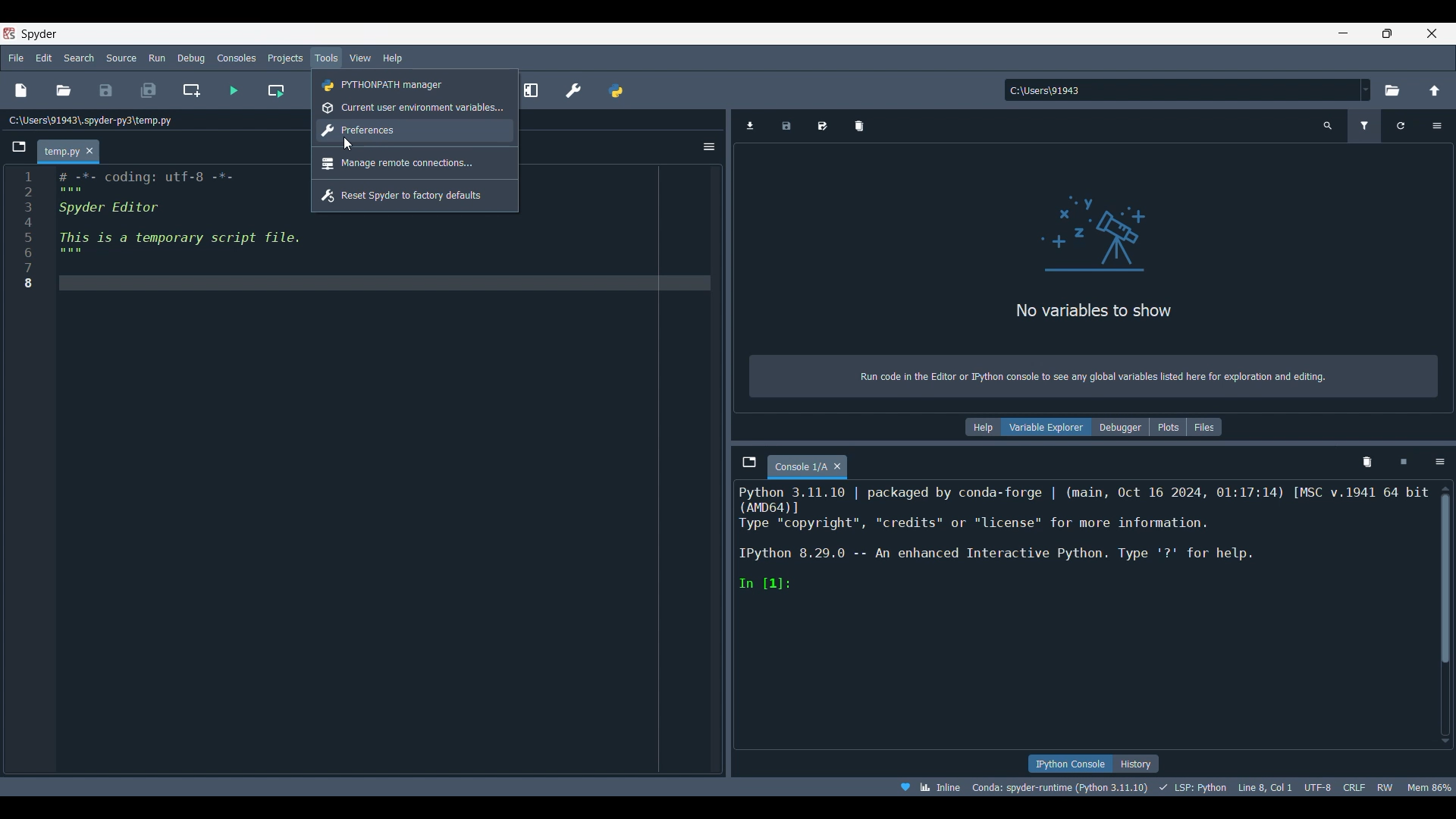 The width and height of the screenshot is (1456, 819). I want to click on Change to parent directory, so click(1435, 90).